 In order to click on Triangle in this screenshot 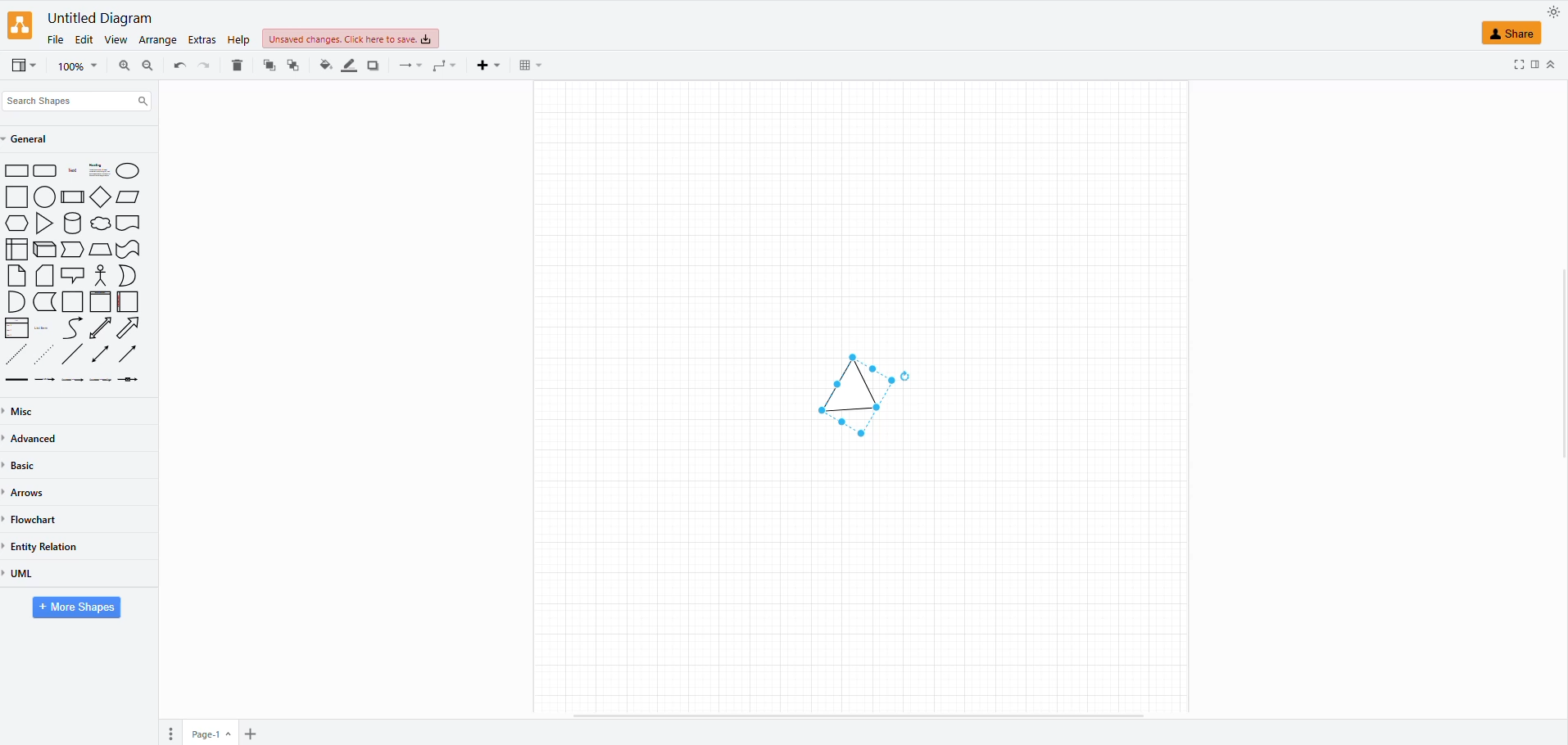, I will do `click(47, 223)`.